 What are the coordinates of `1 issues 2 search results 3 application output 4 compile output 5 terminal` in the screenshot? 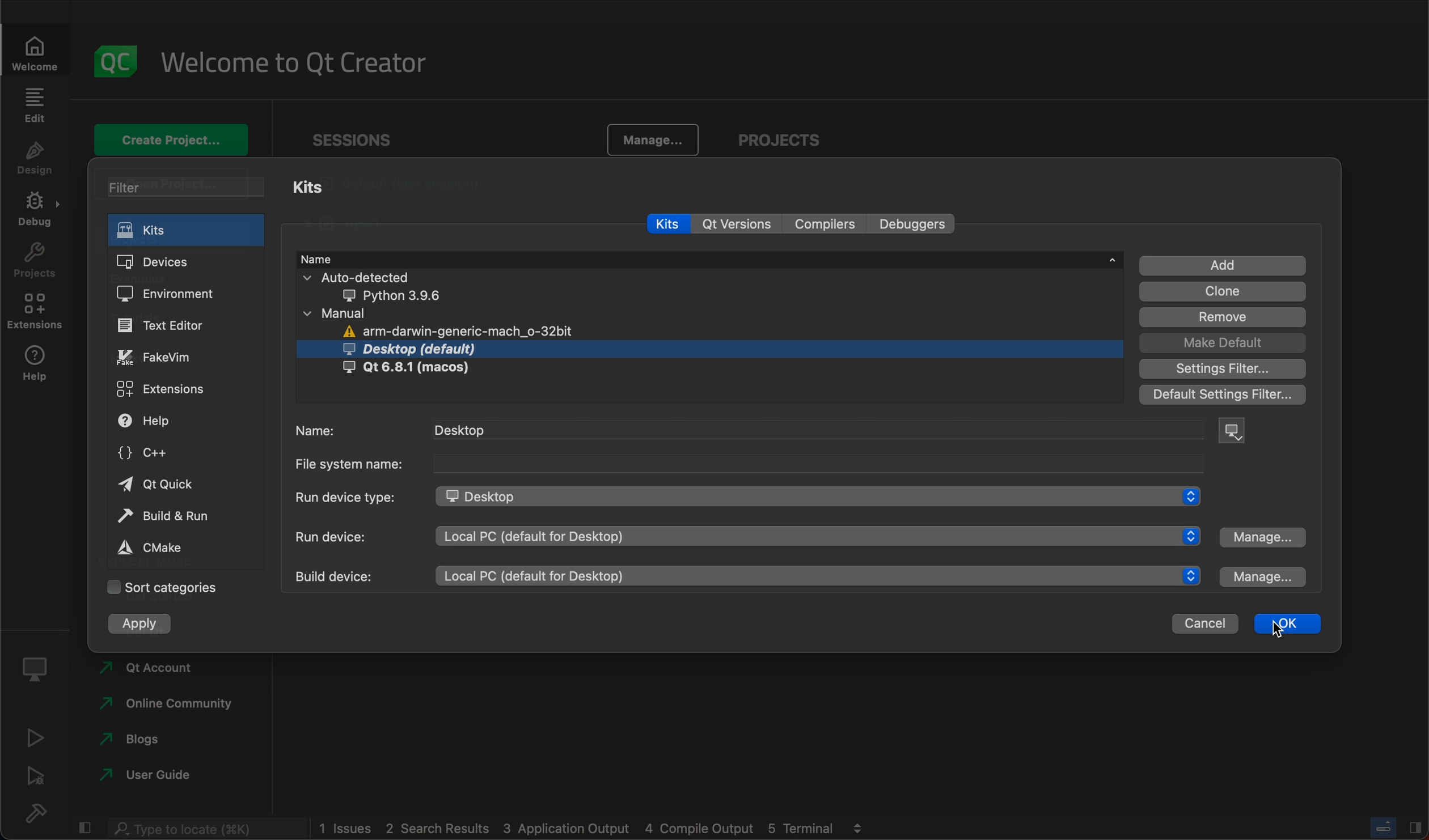 It's located at (579, 828).